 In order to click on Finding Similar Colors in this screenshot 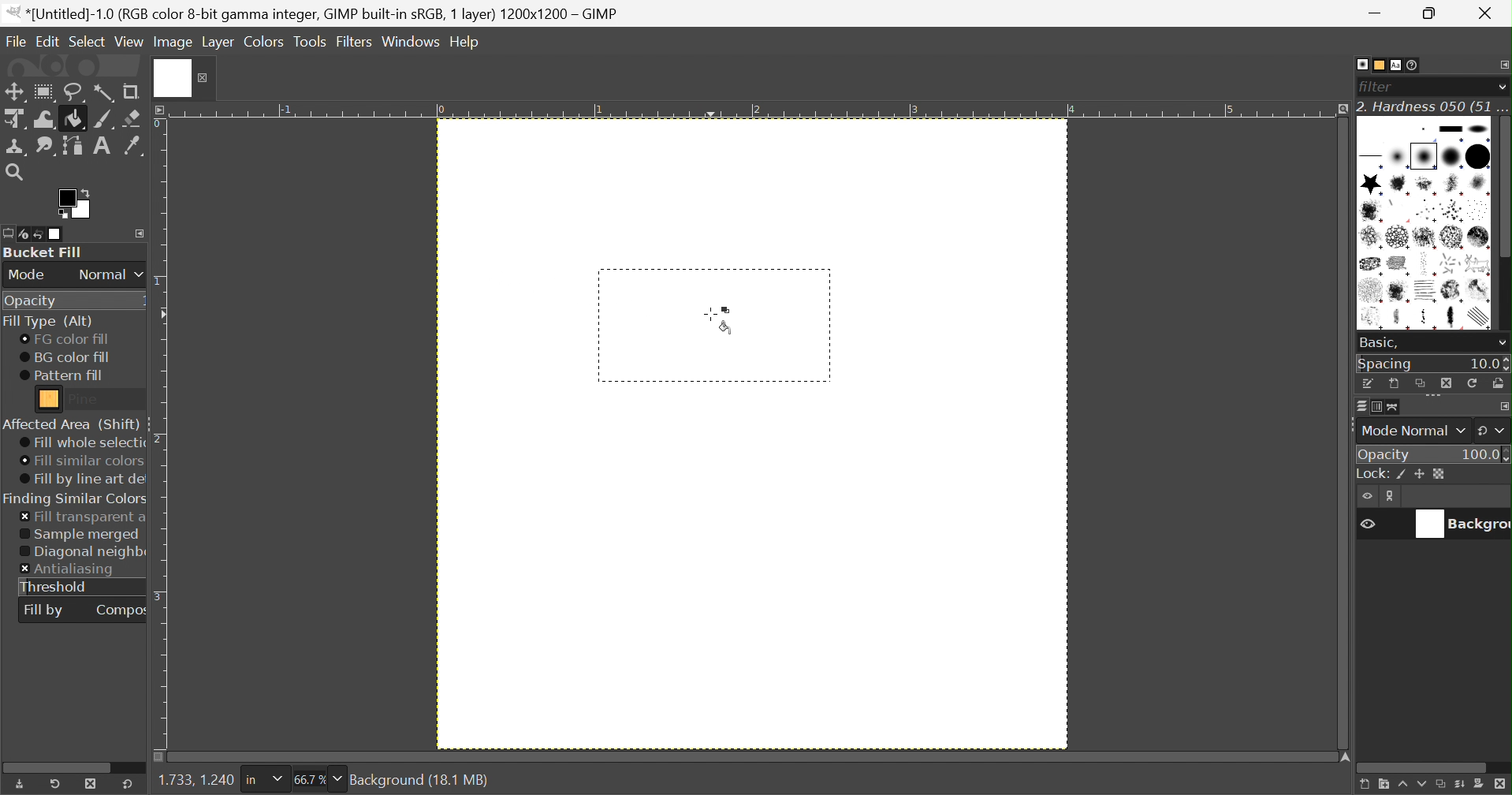, I will do `click(76, 499)`.